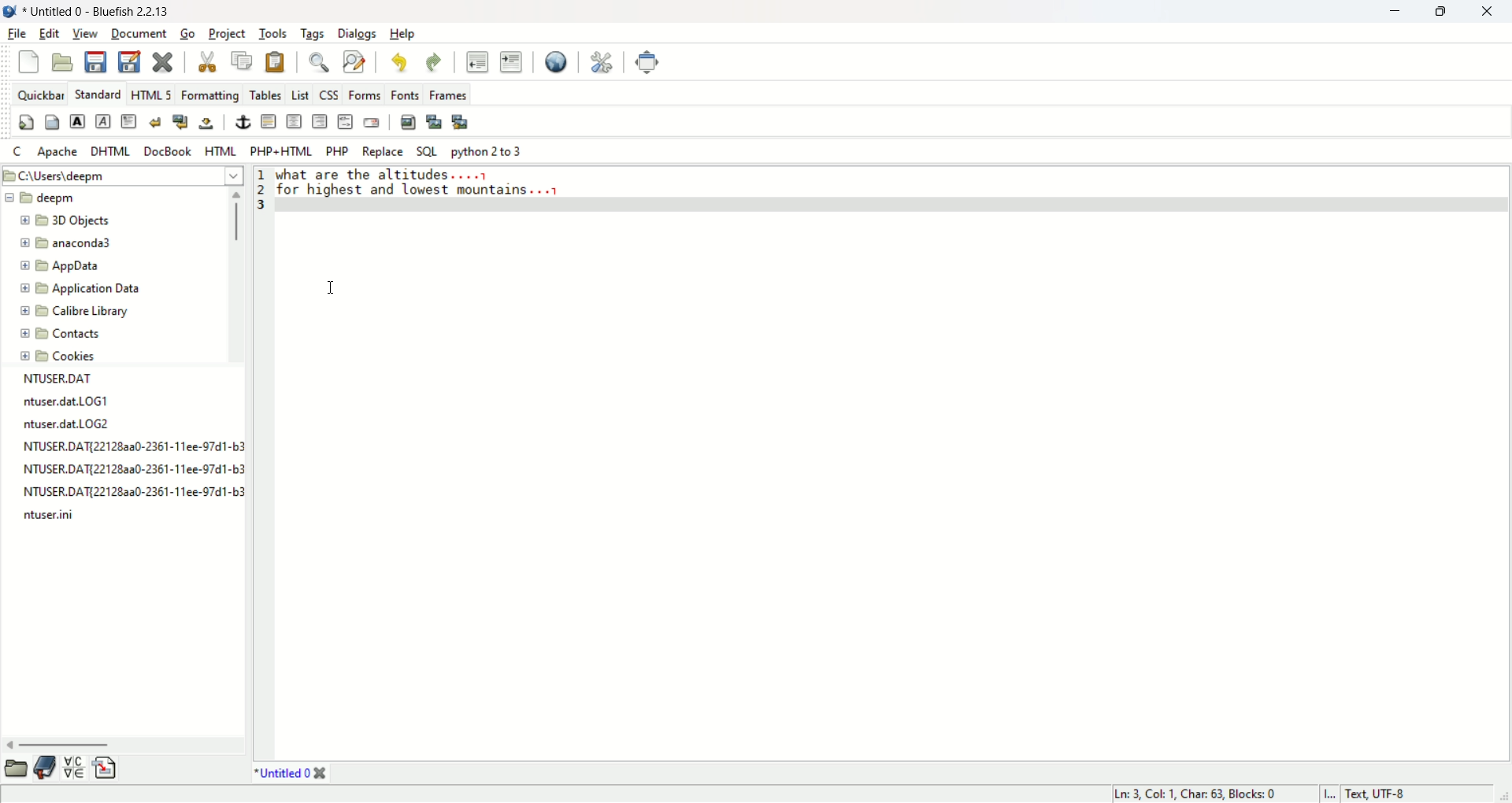  Describe the element at coordinates (346, 124) in the screenshot. I see `HTML comment` at that location.